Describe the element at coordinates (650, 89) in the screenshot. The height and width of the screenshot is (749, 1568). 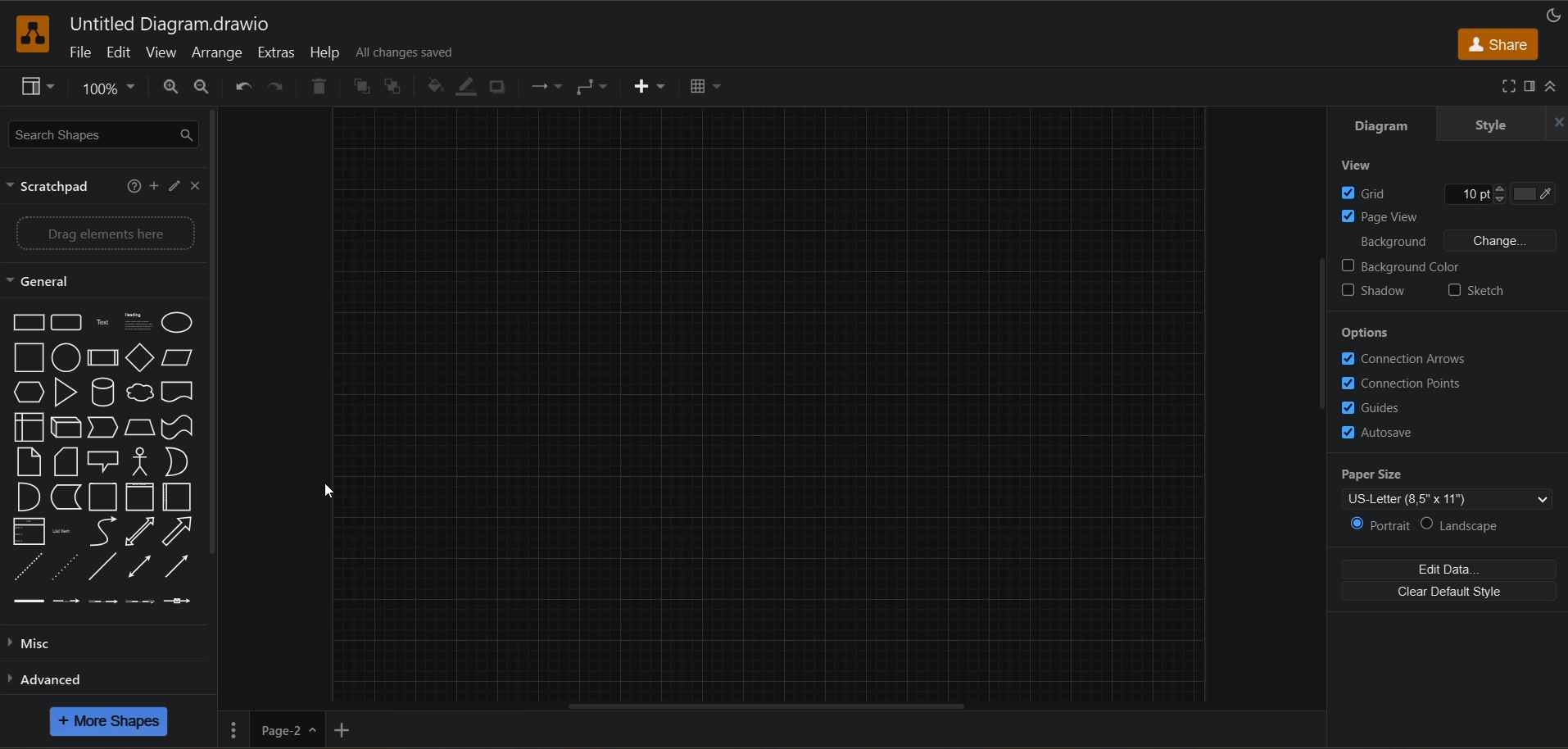
I see `insert` at that location.